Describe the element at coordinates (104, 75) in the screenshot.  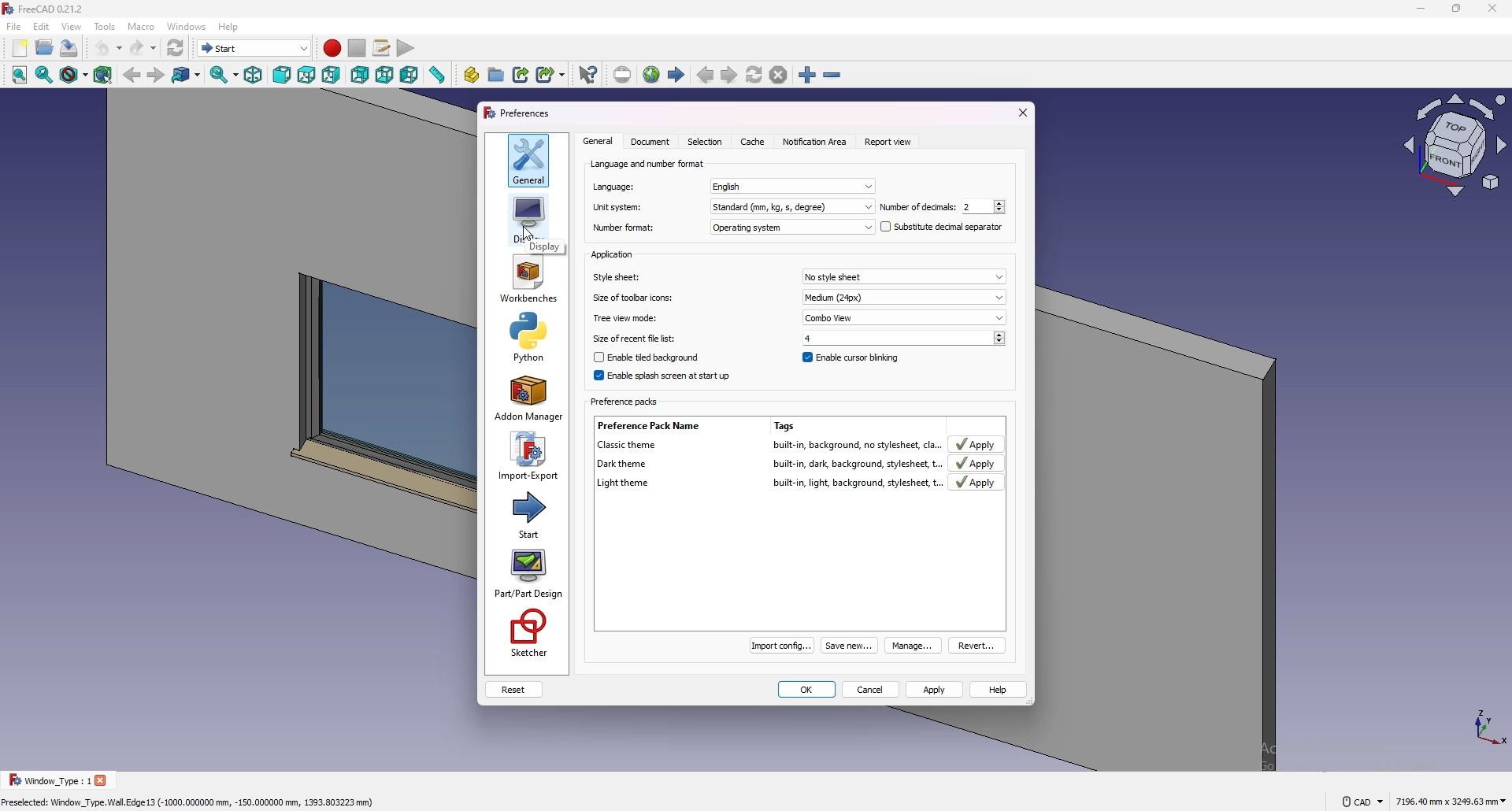
I see `bounding box` at that location.